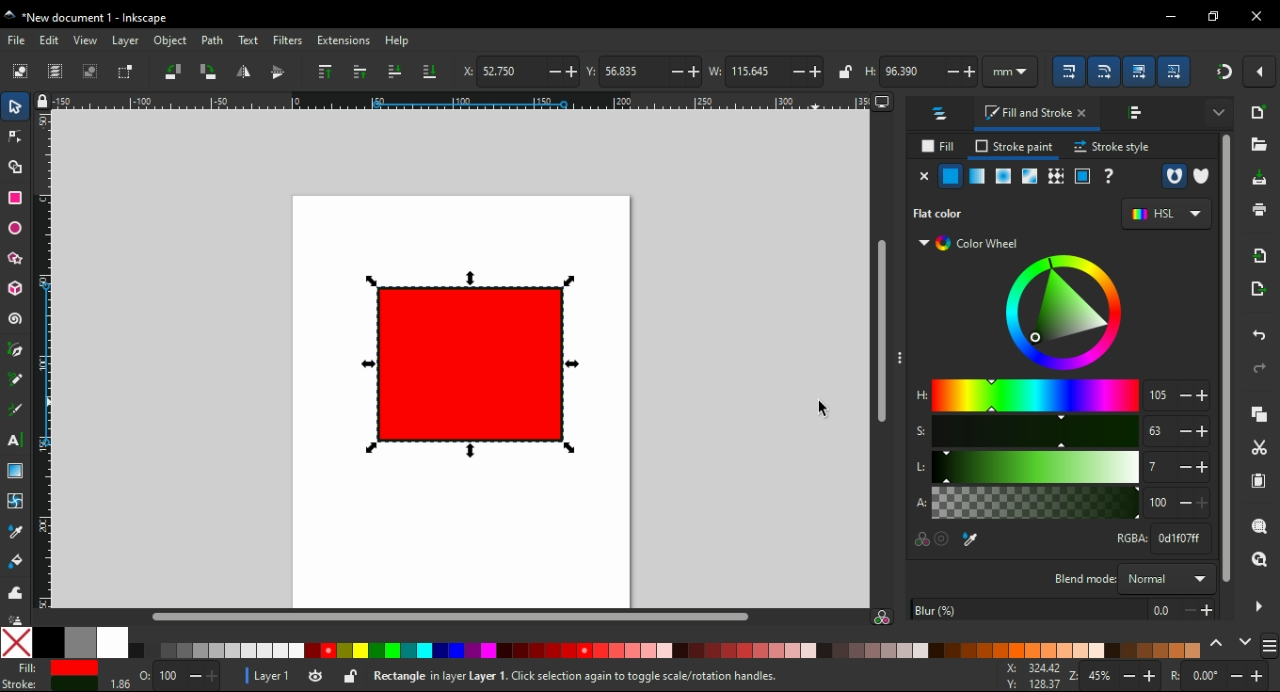 The image size is (1280, 692). Describe the element at coordinates (1159, 467) in the screenshot. I see `41` at that location.